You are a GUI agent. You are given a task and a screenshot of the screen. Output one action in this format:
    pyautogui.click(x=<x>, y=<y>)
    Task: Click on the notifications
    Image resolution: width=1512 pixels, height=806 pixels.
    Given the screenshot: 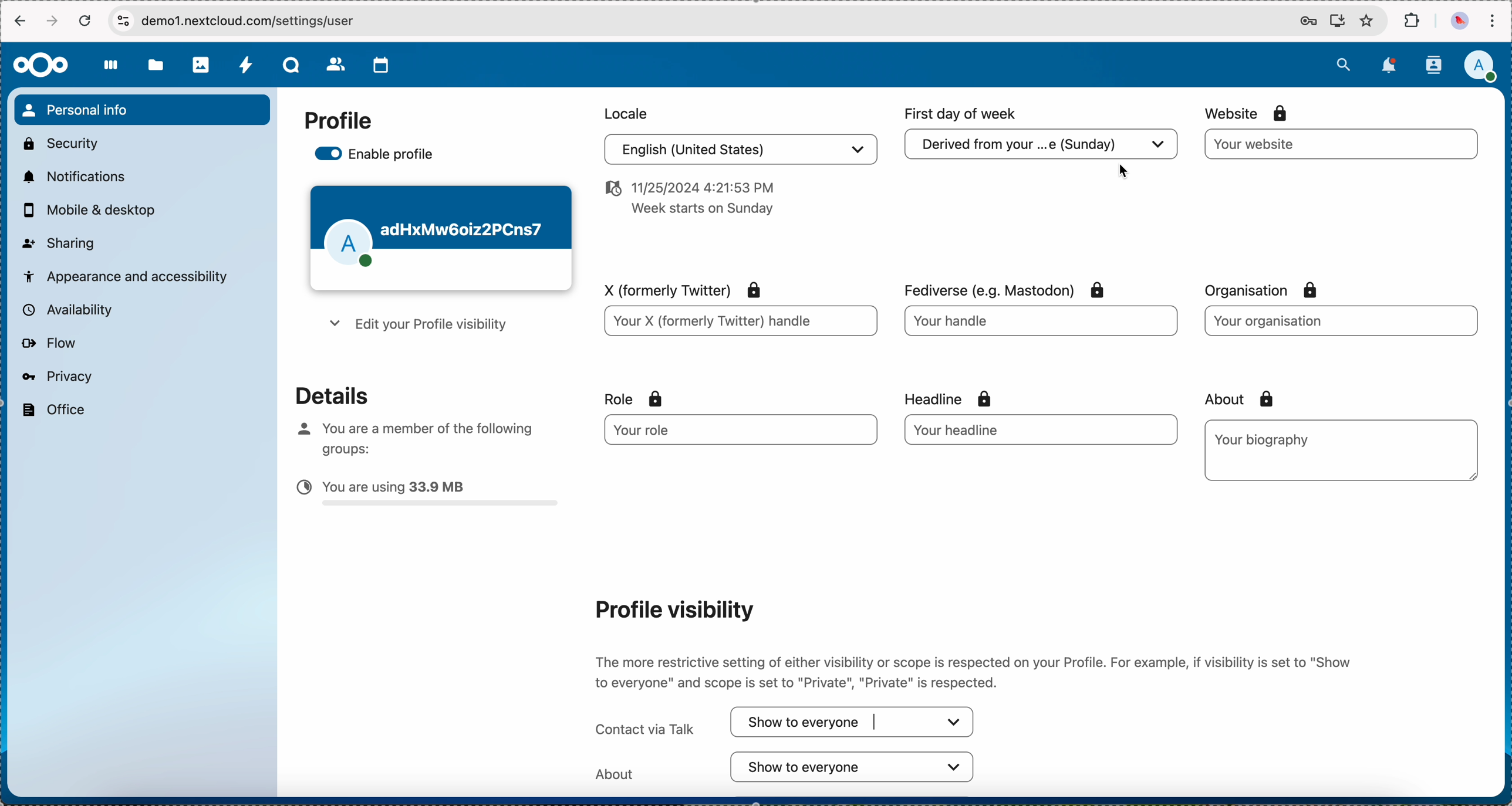 What is the action you would take?
    pyautogui.click(x=1391, y=65)
    